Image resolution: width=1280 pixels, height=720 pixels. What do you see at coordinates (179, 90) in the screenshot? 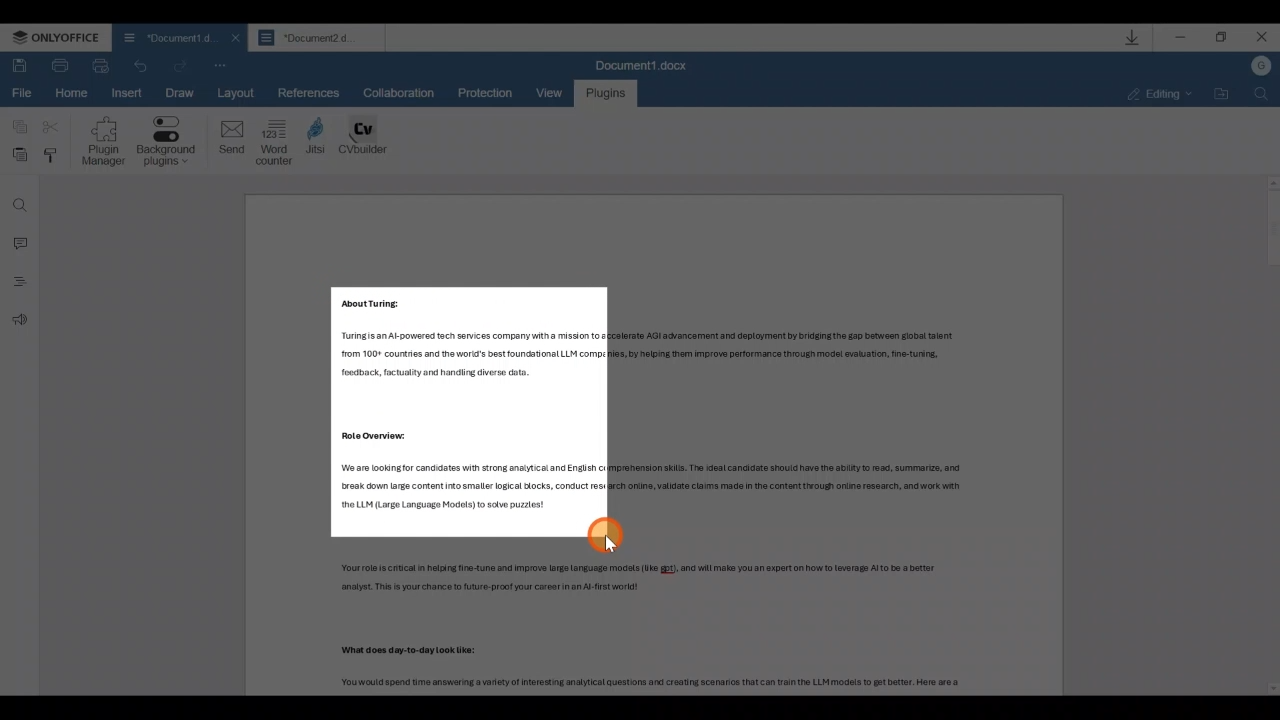
I see `Draw` at bounding box center [179, 90].